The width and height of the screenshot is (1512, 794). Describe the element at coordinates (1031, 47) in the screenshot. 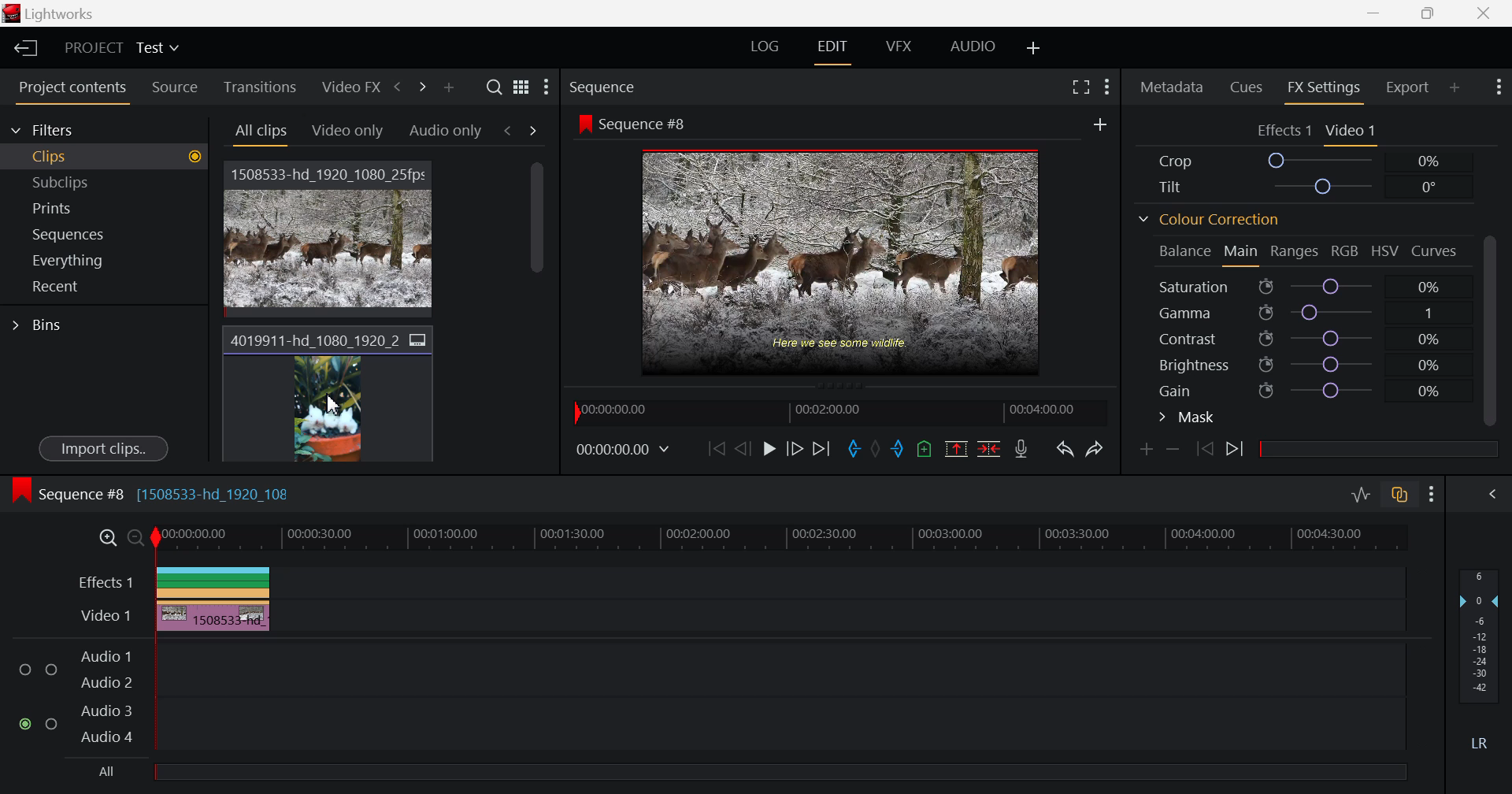

I see `Add Layout` at that location.